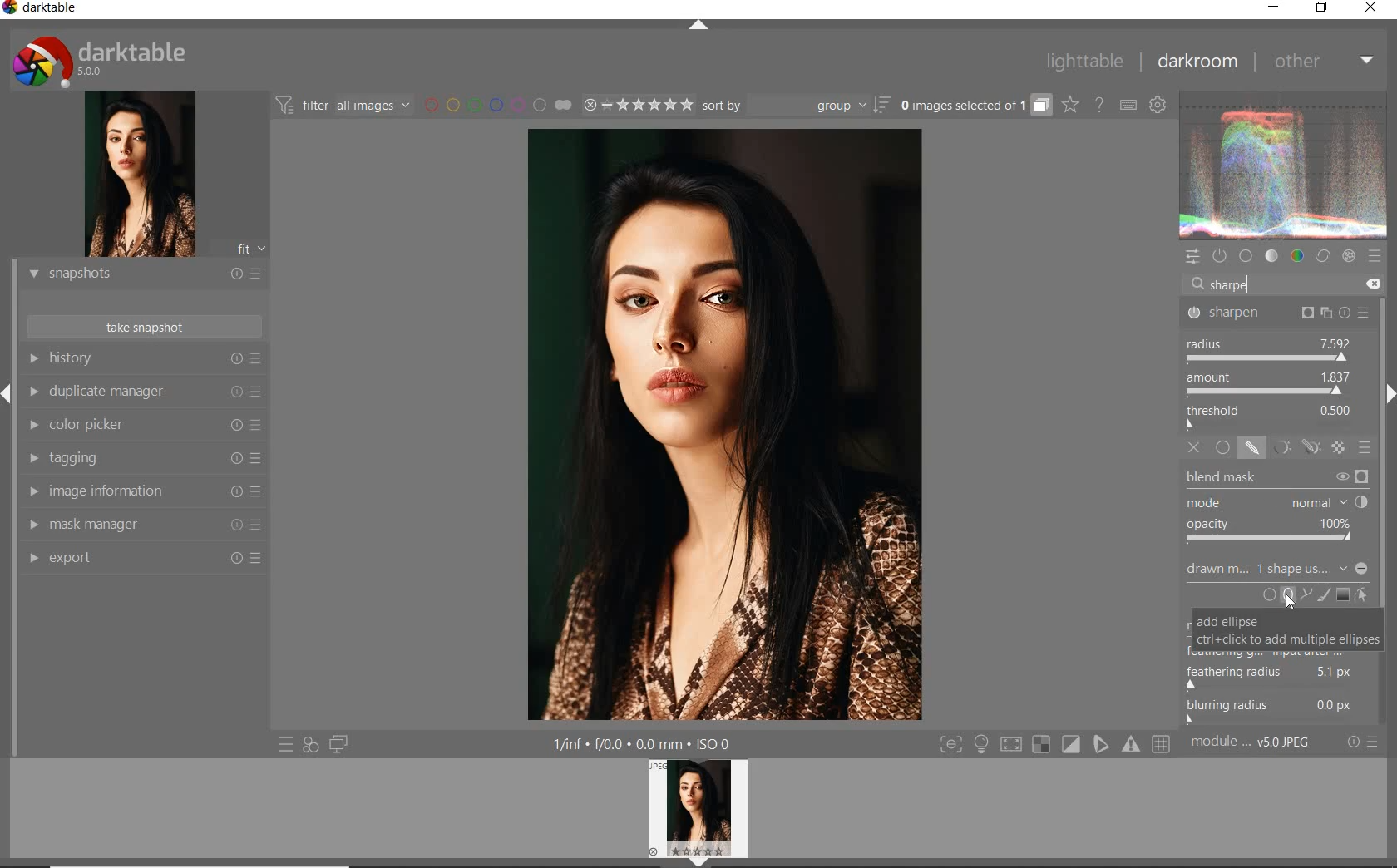  What do you see at coordinates (1191, 257) in the screenshot?
I see `quick access panel` at bounding box center [1191, 257].